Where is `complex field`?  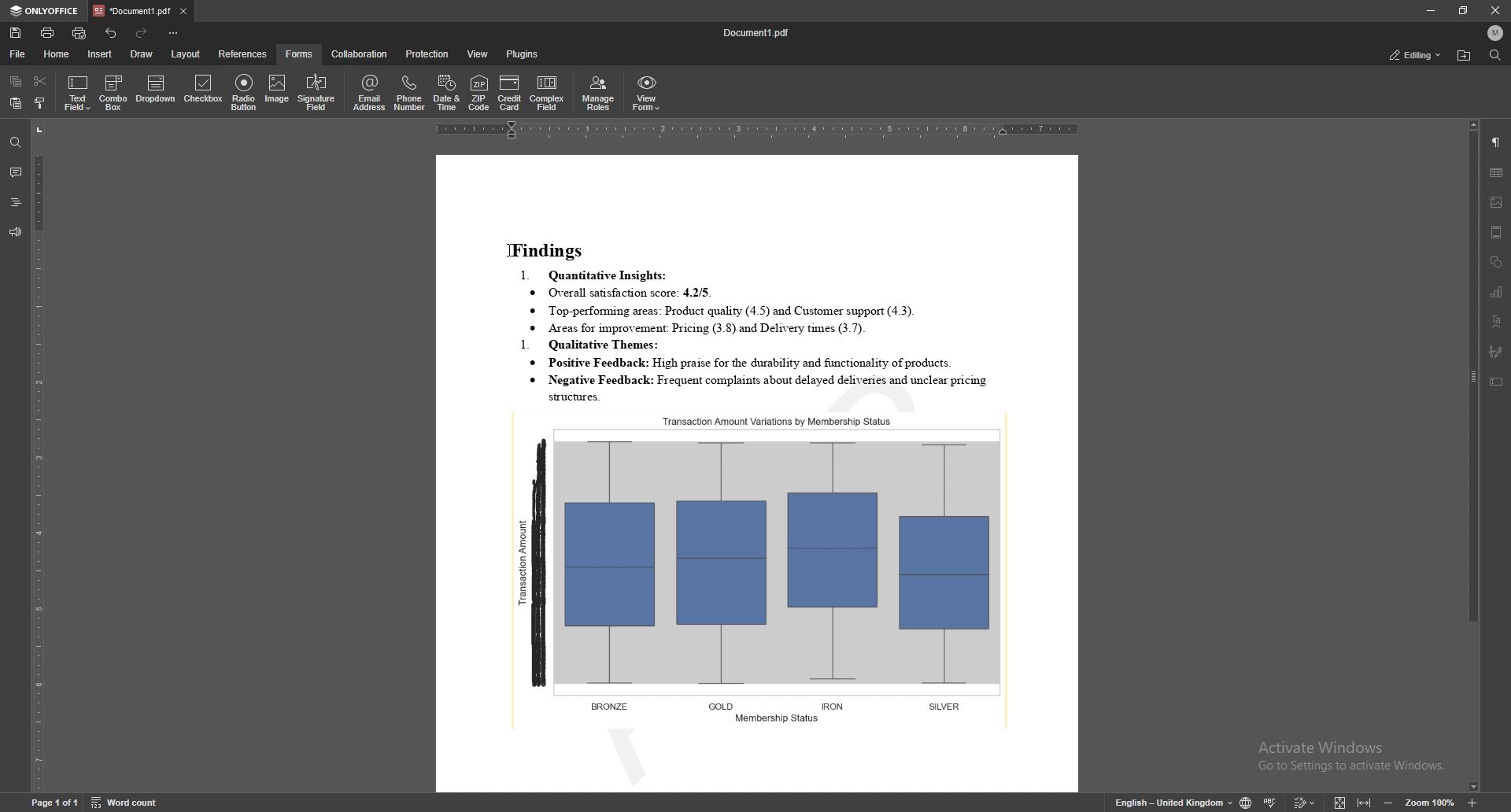
complex field is located at coordinates (549, 94).